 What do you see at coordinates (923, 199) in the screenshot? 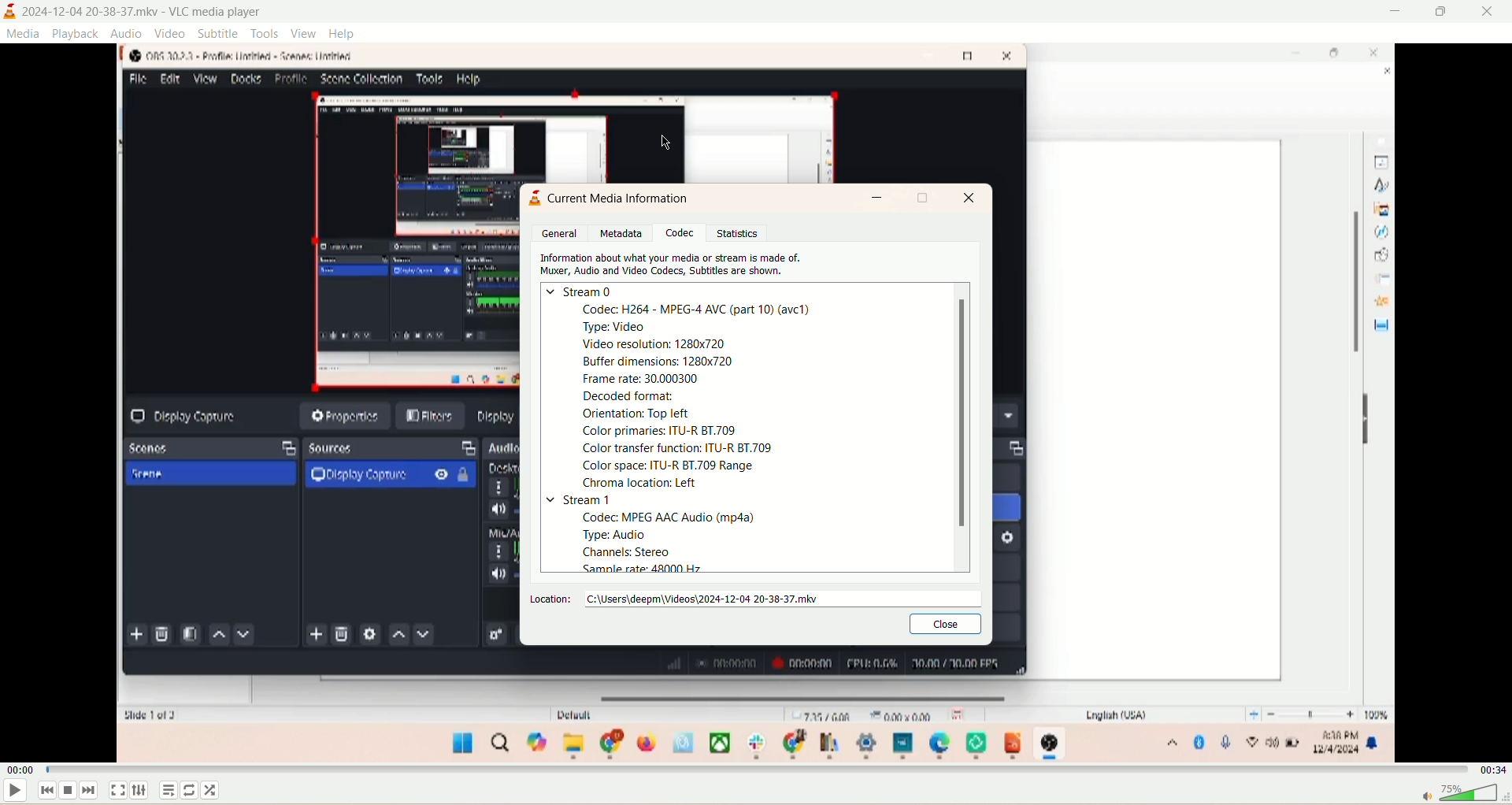
I see `maximize` at bounding box center [923, 199].